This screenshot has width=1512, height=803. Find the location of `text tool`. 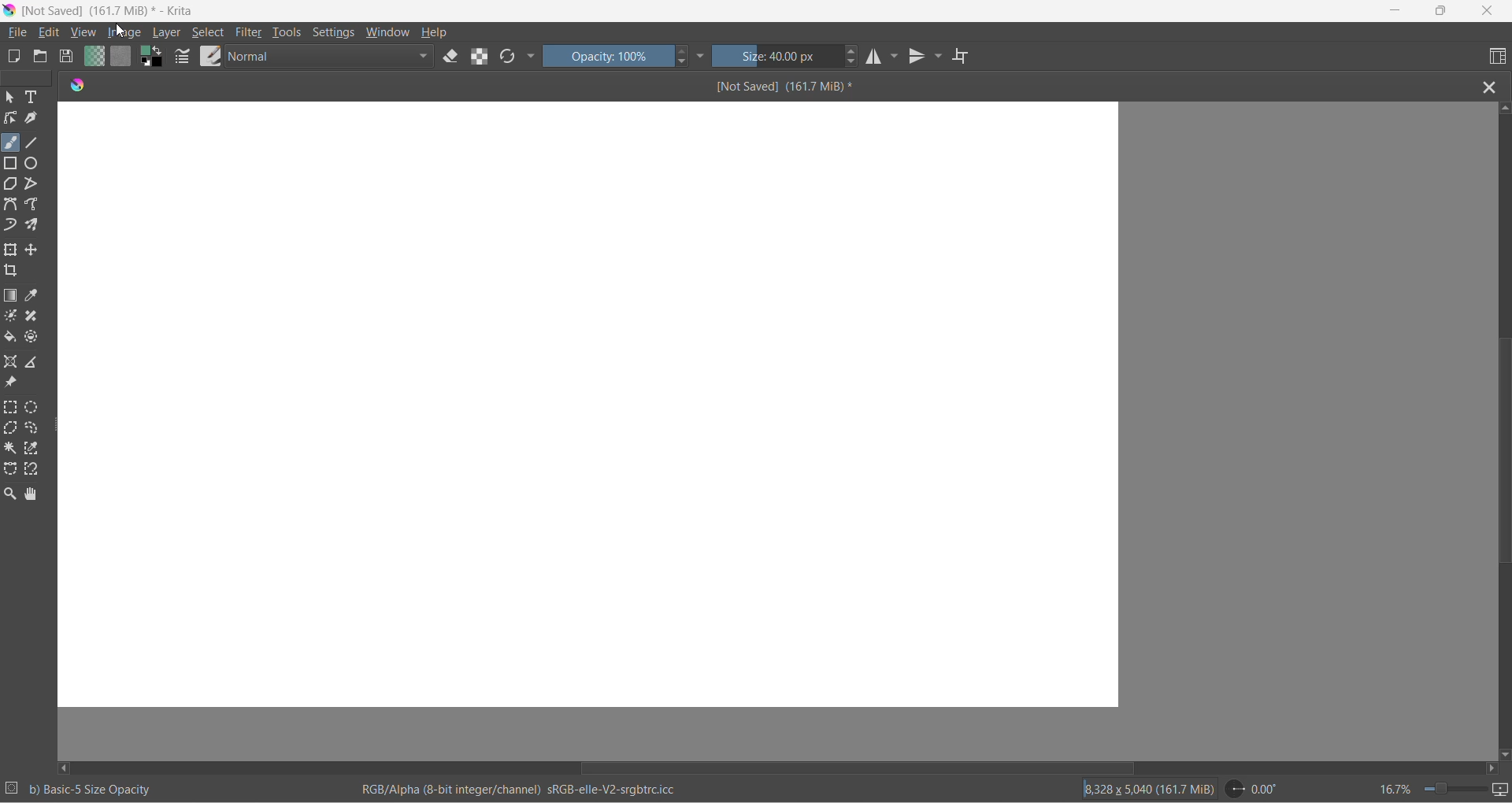

text tool is located at coordinates (34, 98).